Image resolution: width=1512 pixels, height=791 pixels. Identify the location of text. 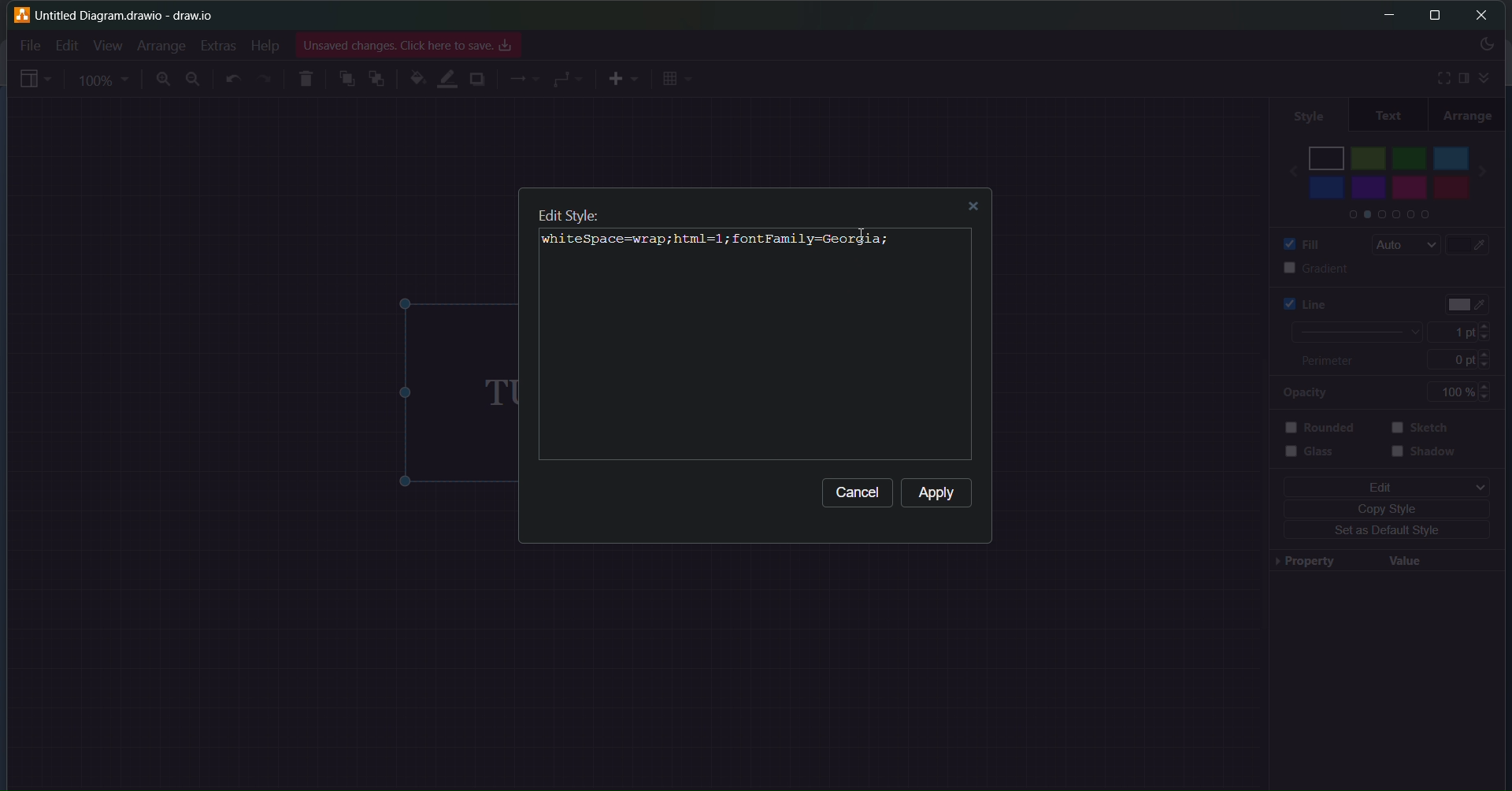
(1388, 115).